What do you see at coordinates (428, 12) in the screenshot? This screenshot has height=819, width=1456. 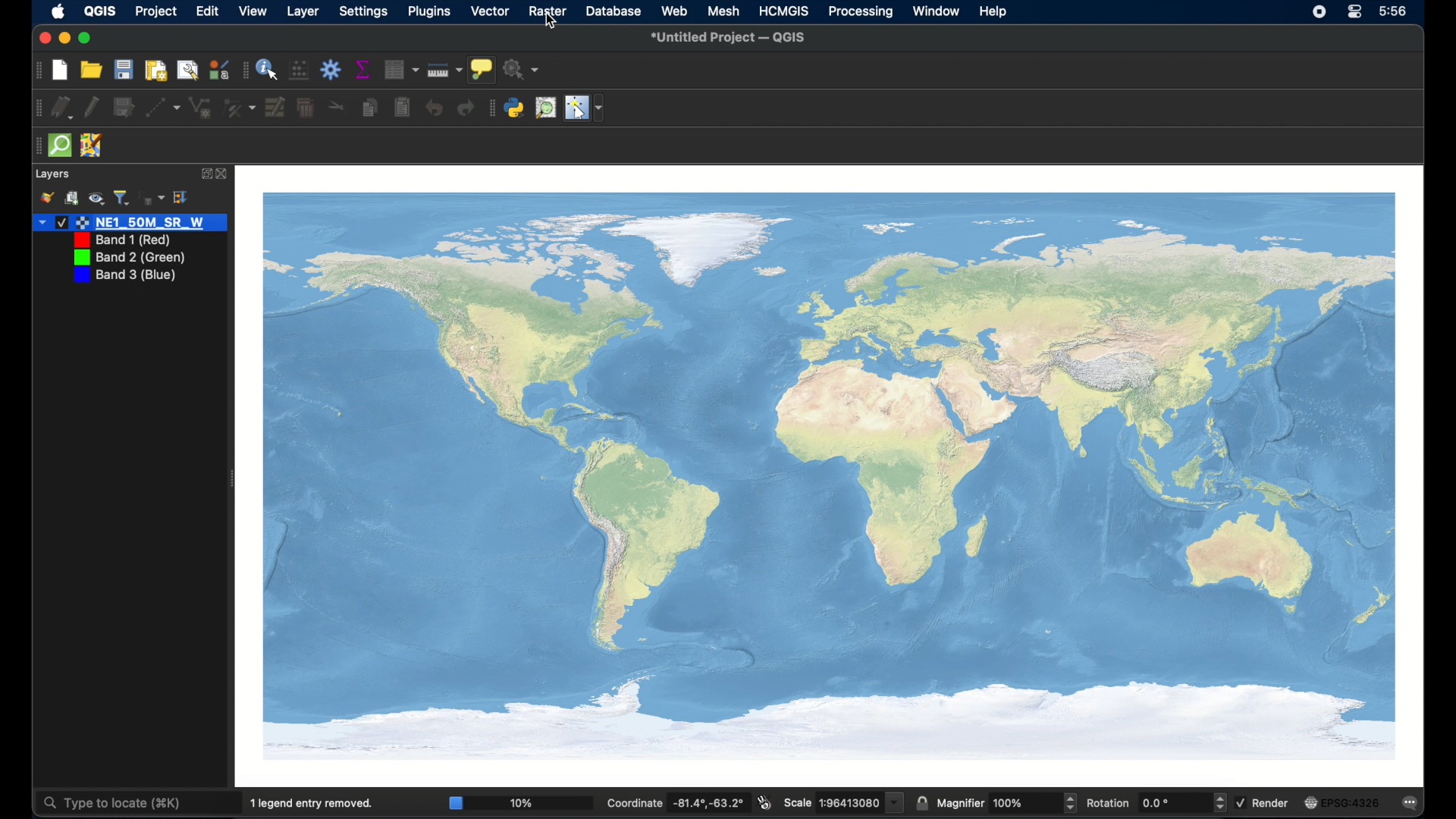 I see `plugins` at bounding box center [428, 12].